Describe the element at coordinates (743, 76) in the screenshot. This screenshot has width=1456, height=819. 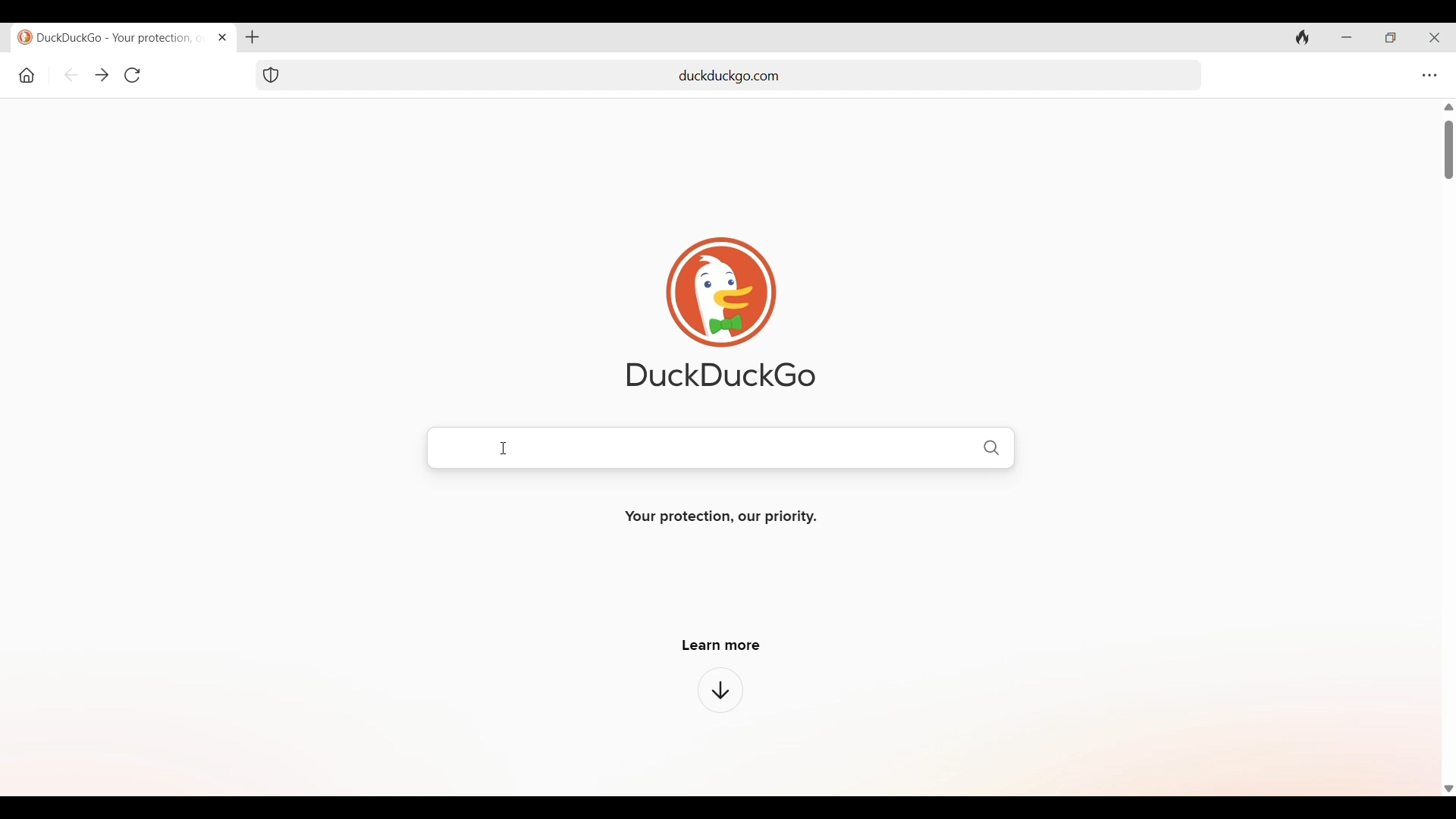
I see `add url` at that location.